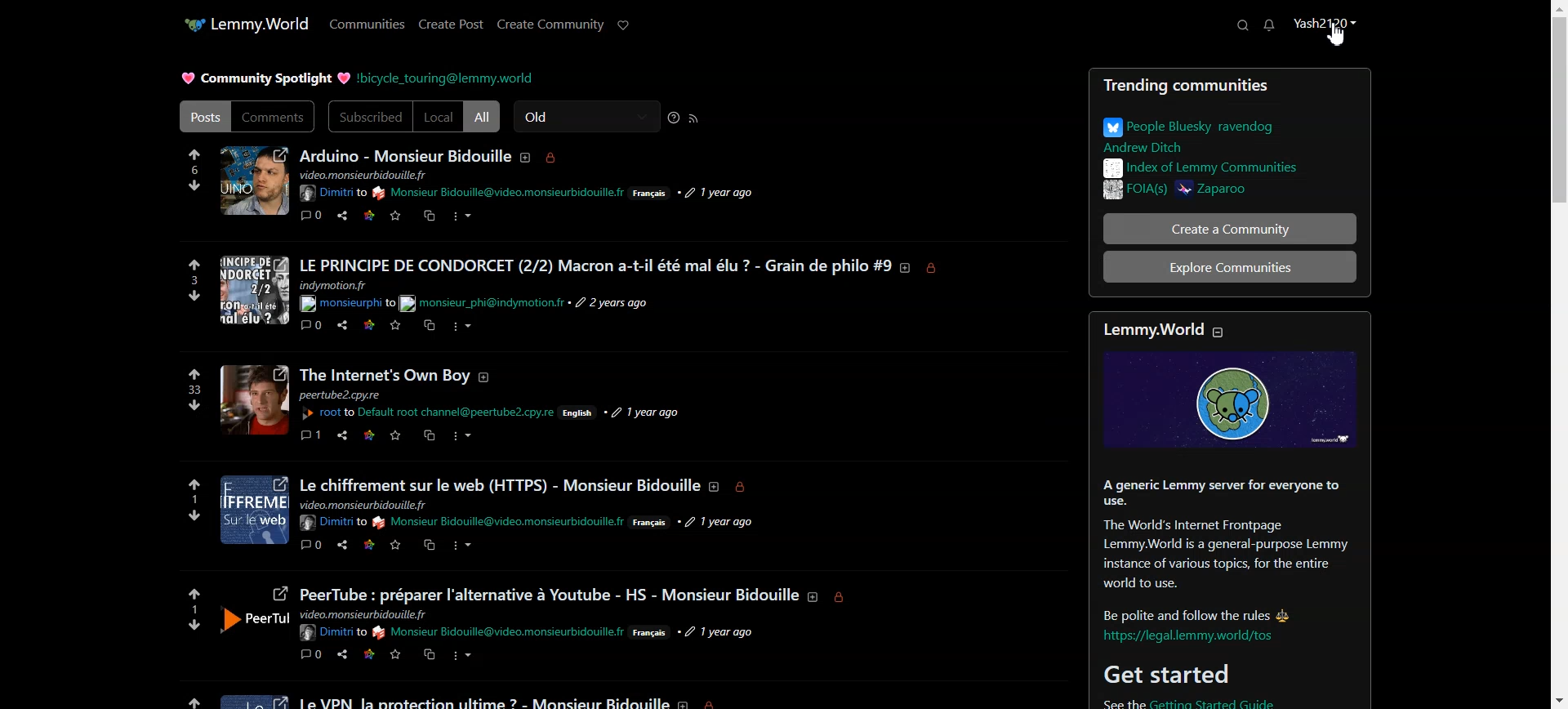 Image resolution: width=1568 pixels, height=709 pixels. What do you see at coordinates (1212, 546) in the screenshot?
I see `text` at bounding box center [1212, 546].